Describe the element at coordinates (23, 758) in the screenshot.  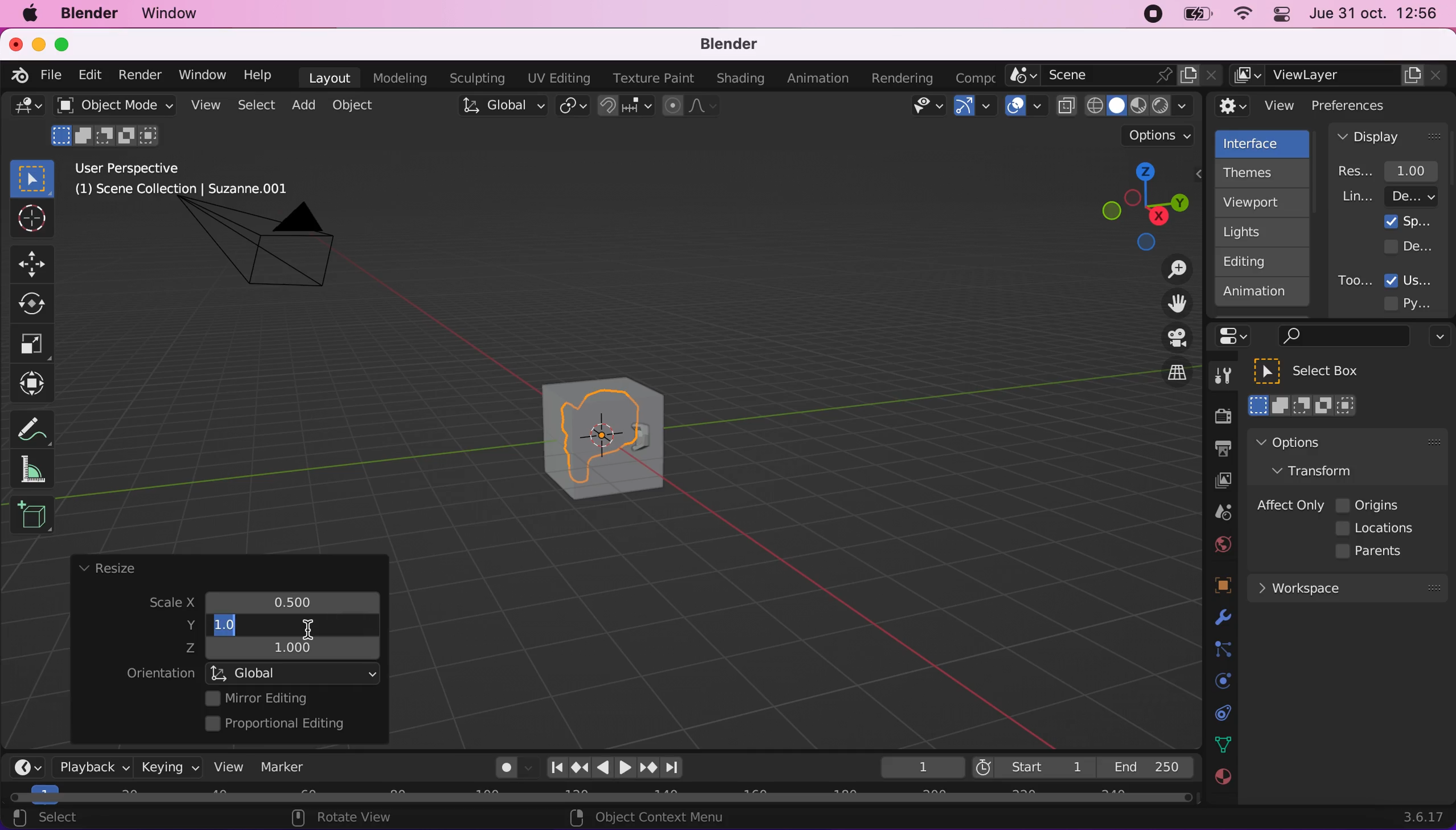
I see `editor type` at that location.